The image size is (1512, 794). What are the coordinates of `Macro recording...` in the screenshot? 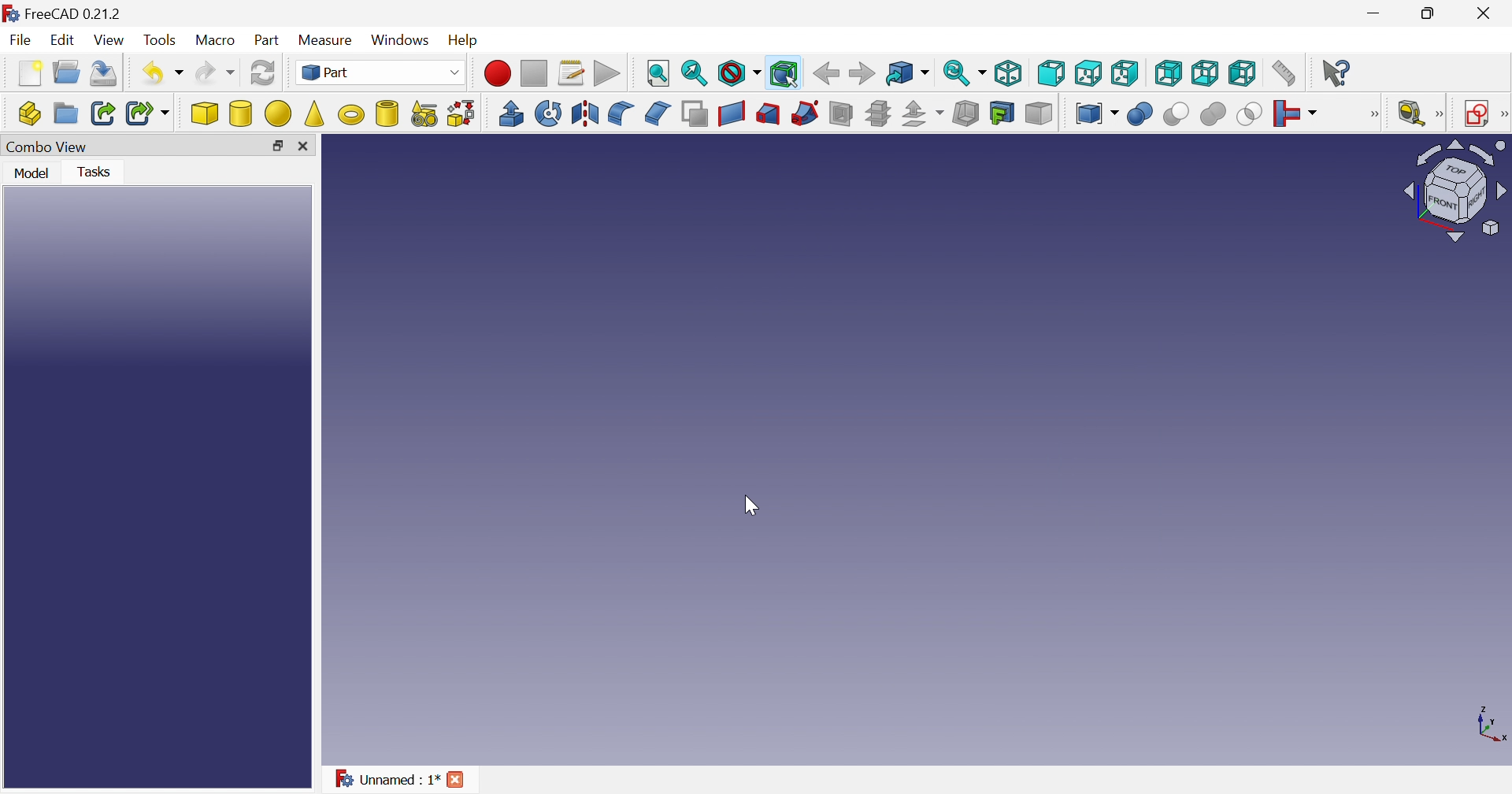 It's located at (498, 73).